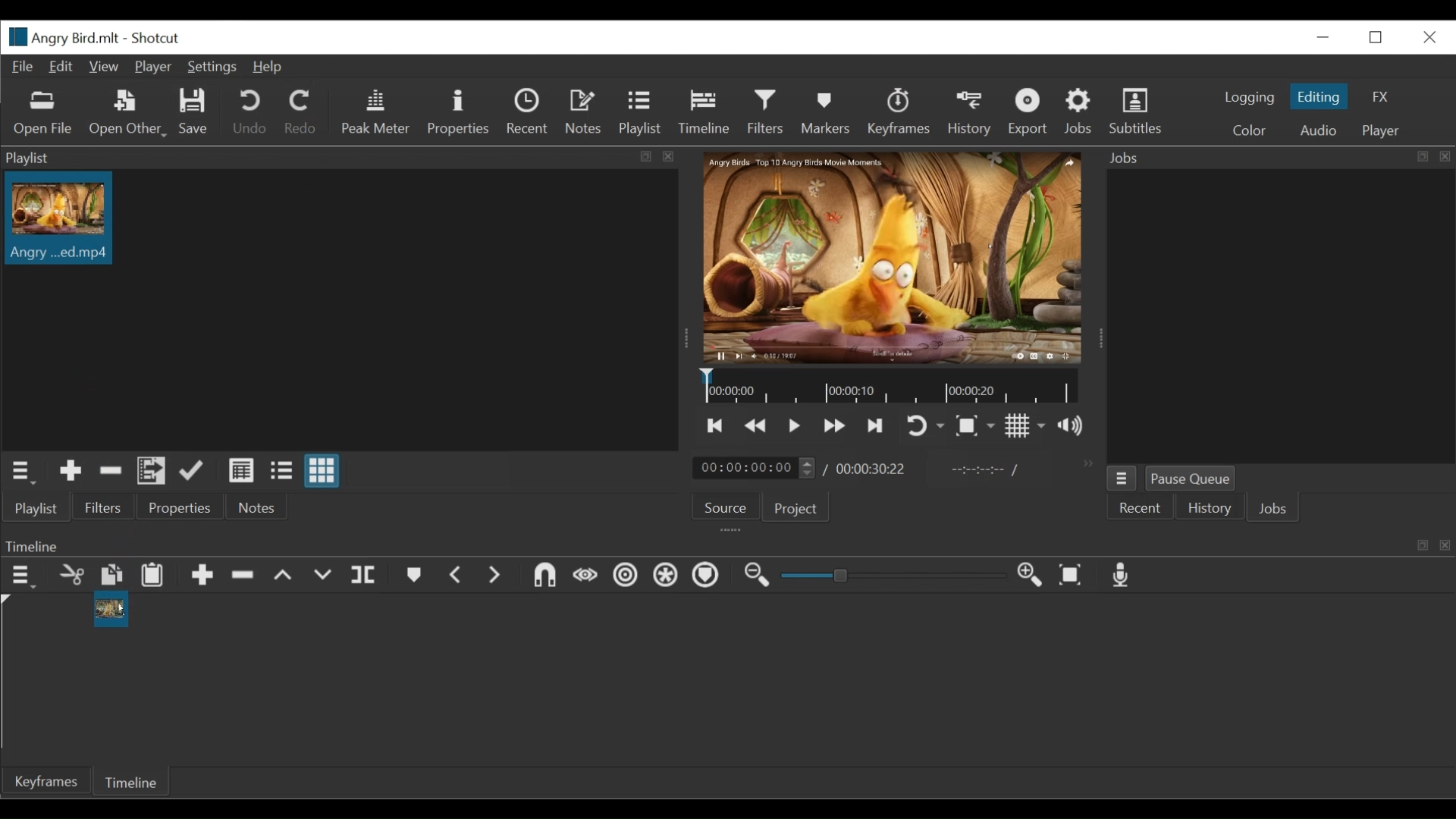  I want to click on Zoom timeline in, so click(1030, 576).